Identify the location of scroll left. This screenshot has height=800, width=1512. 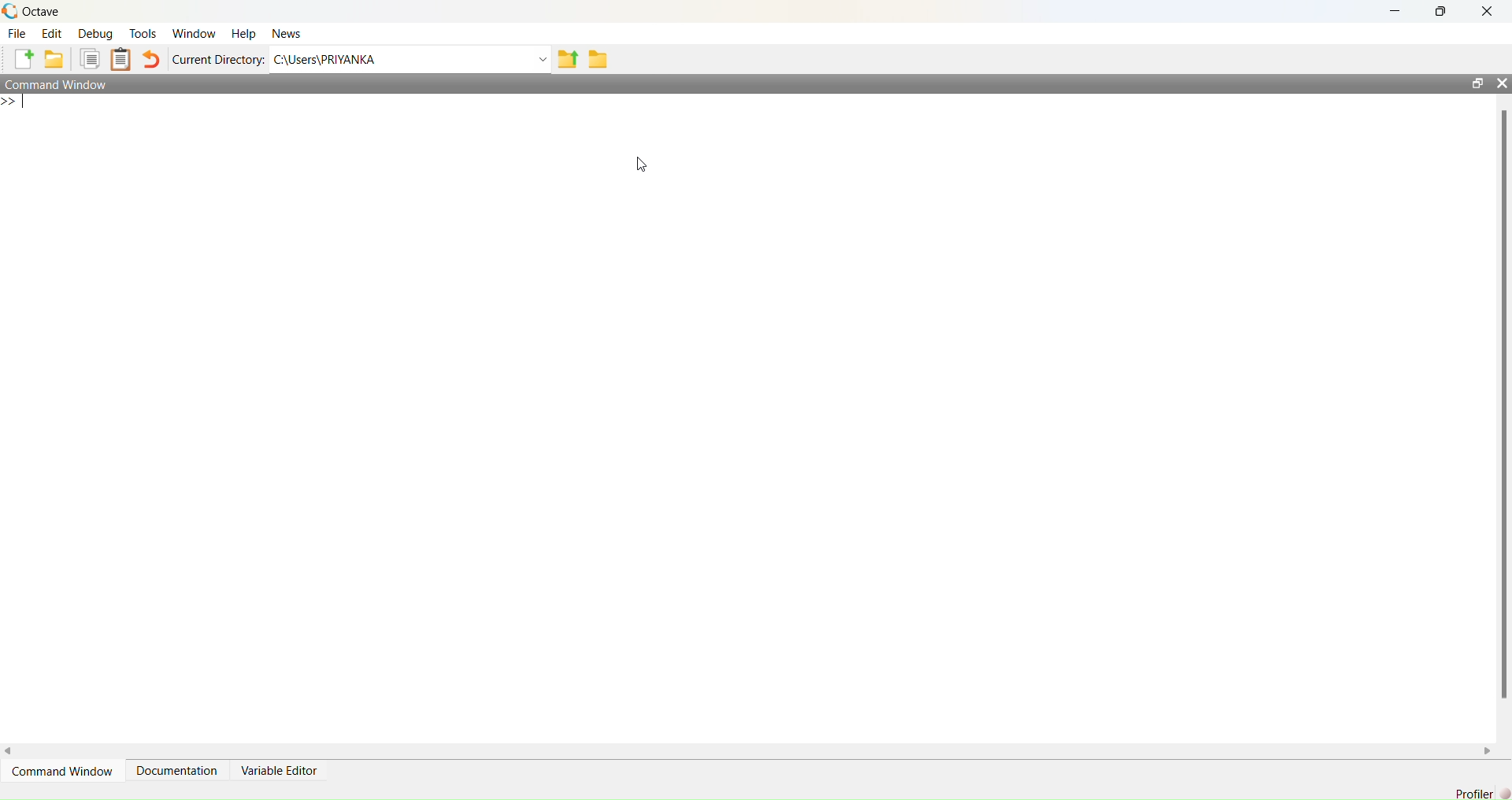
(9, 750).